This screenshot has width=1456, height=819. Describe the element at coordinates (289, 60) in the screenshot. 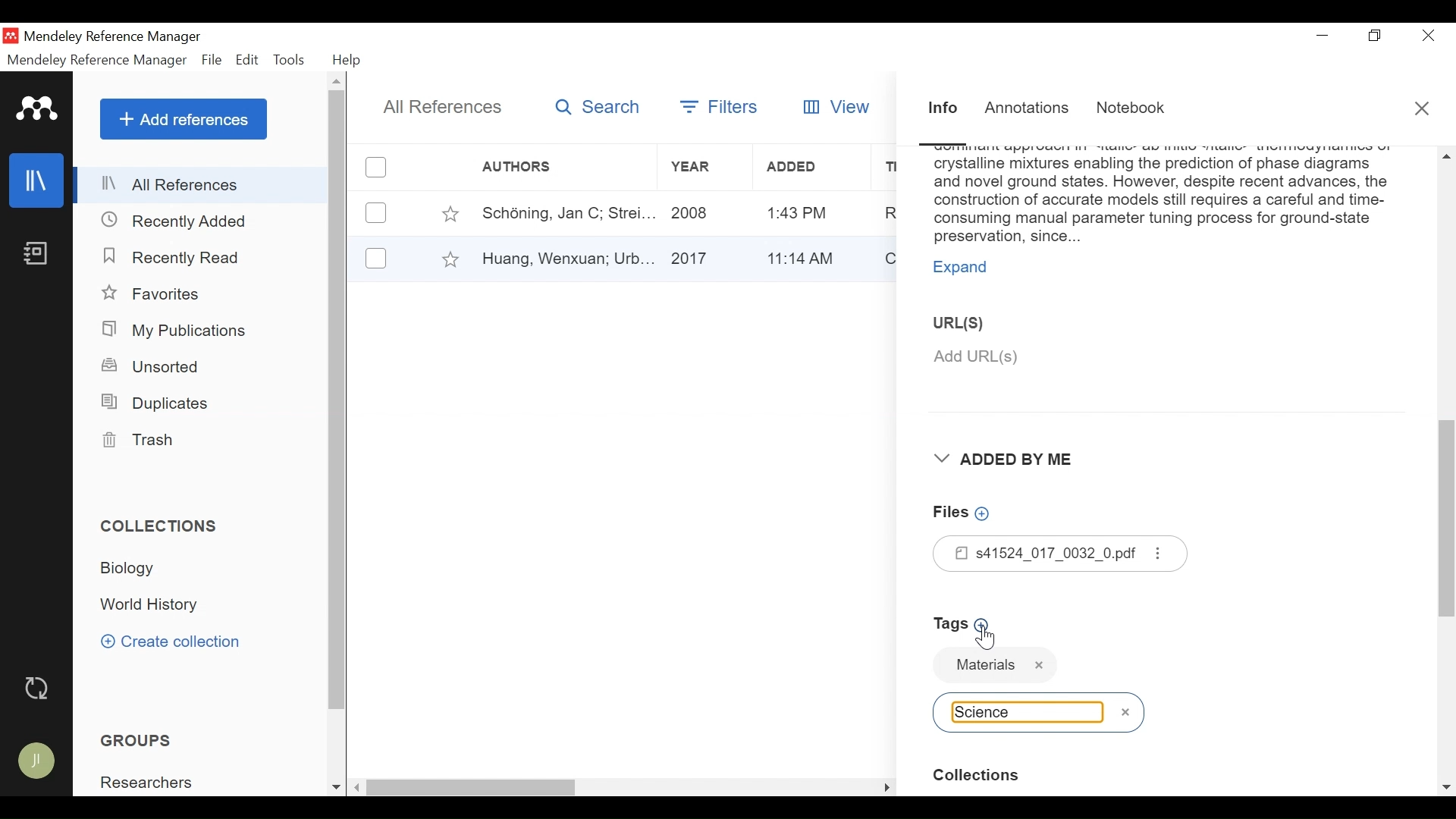

I see `Tools` at that location.